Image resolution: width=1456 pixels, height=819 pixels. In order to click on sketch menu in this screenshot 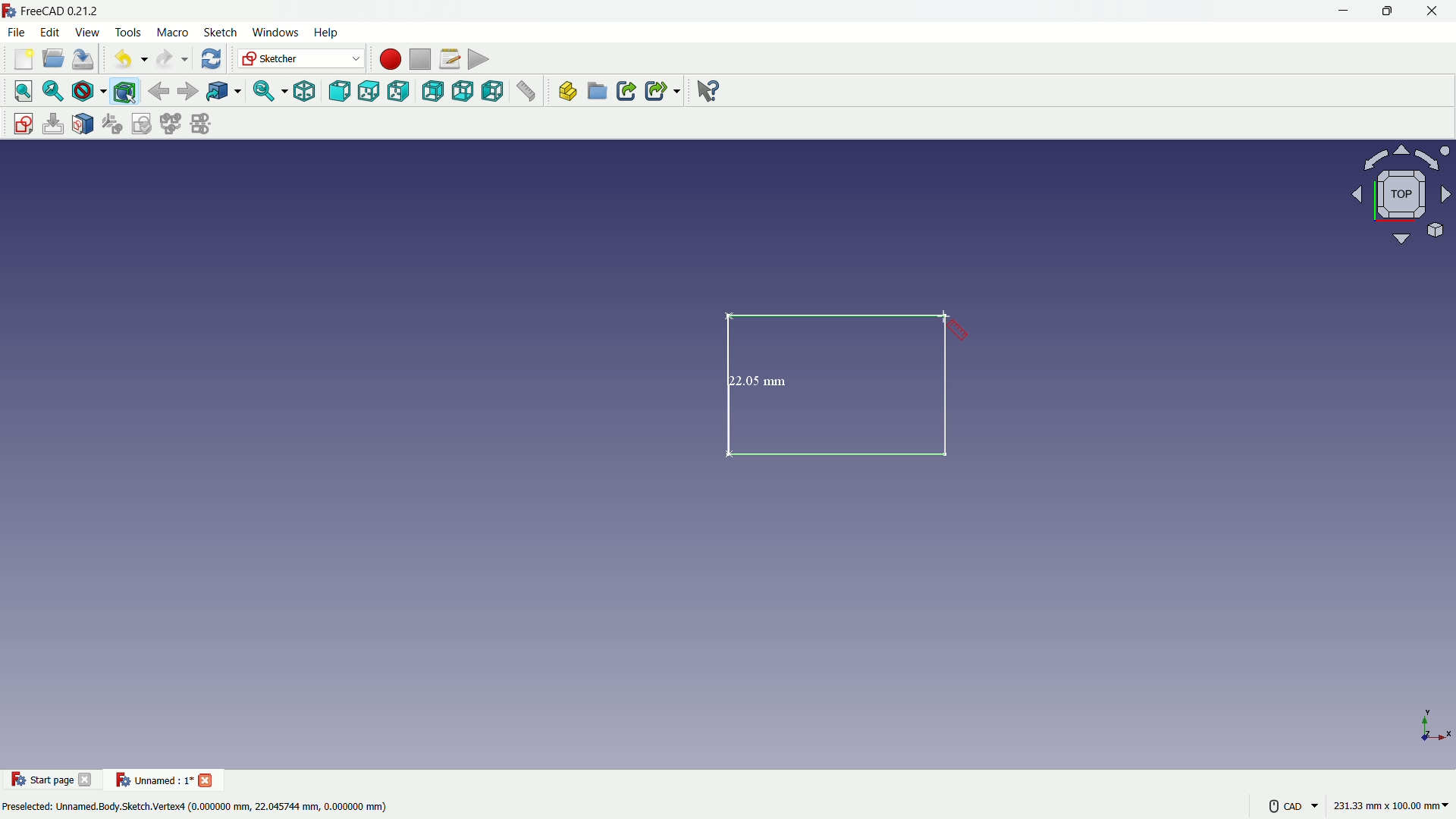, I will do `click(220, 33)`.